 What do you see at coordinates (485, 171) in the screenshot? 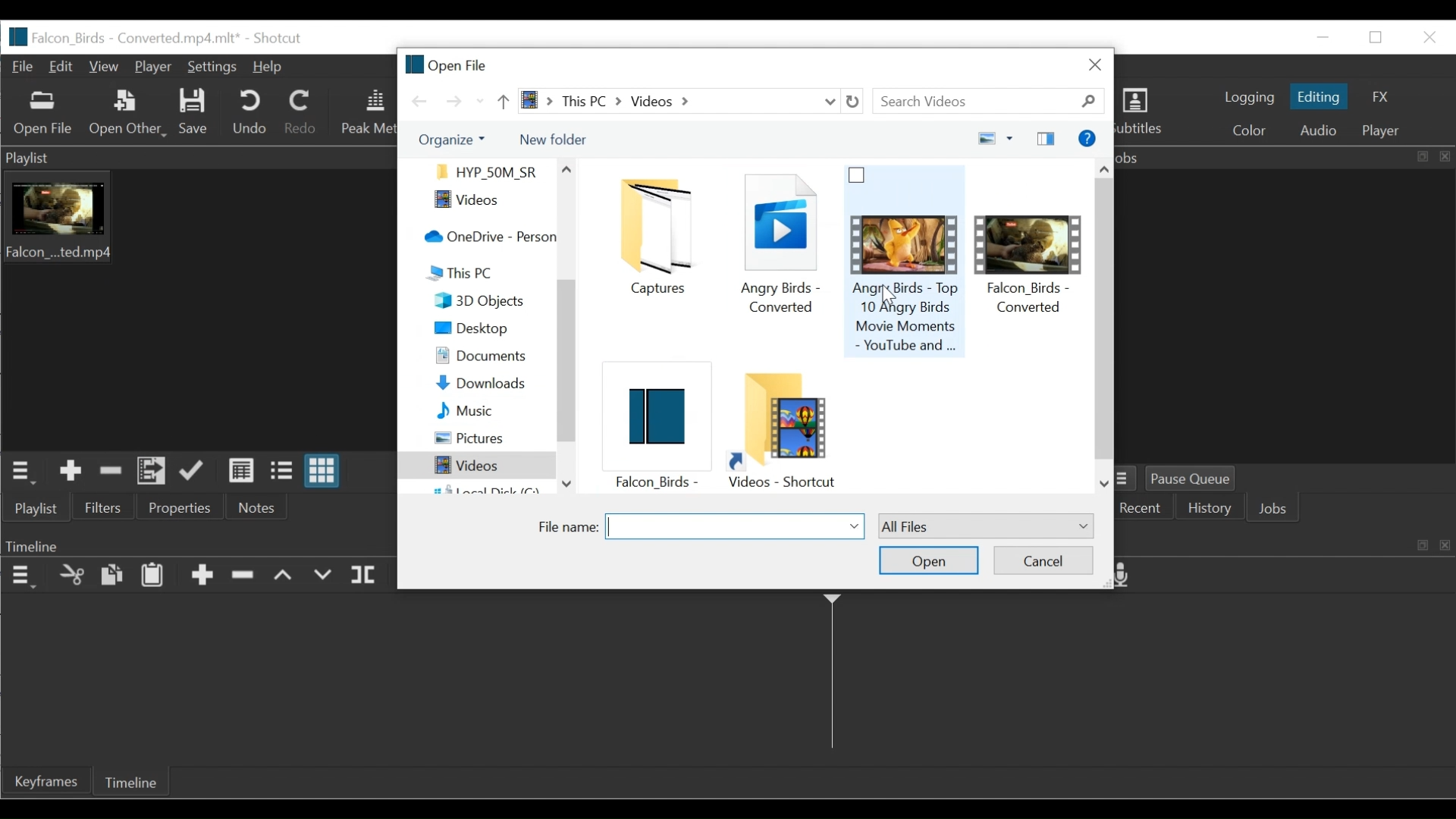
I see ` HYP_S0M_SR` at bounding box center [485, 171].